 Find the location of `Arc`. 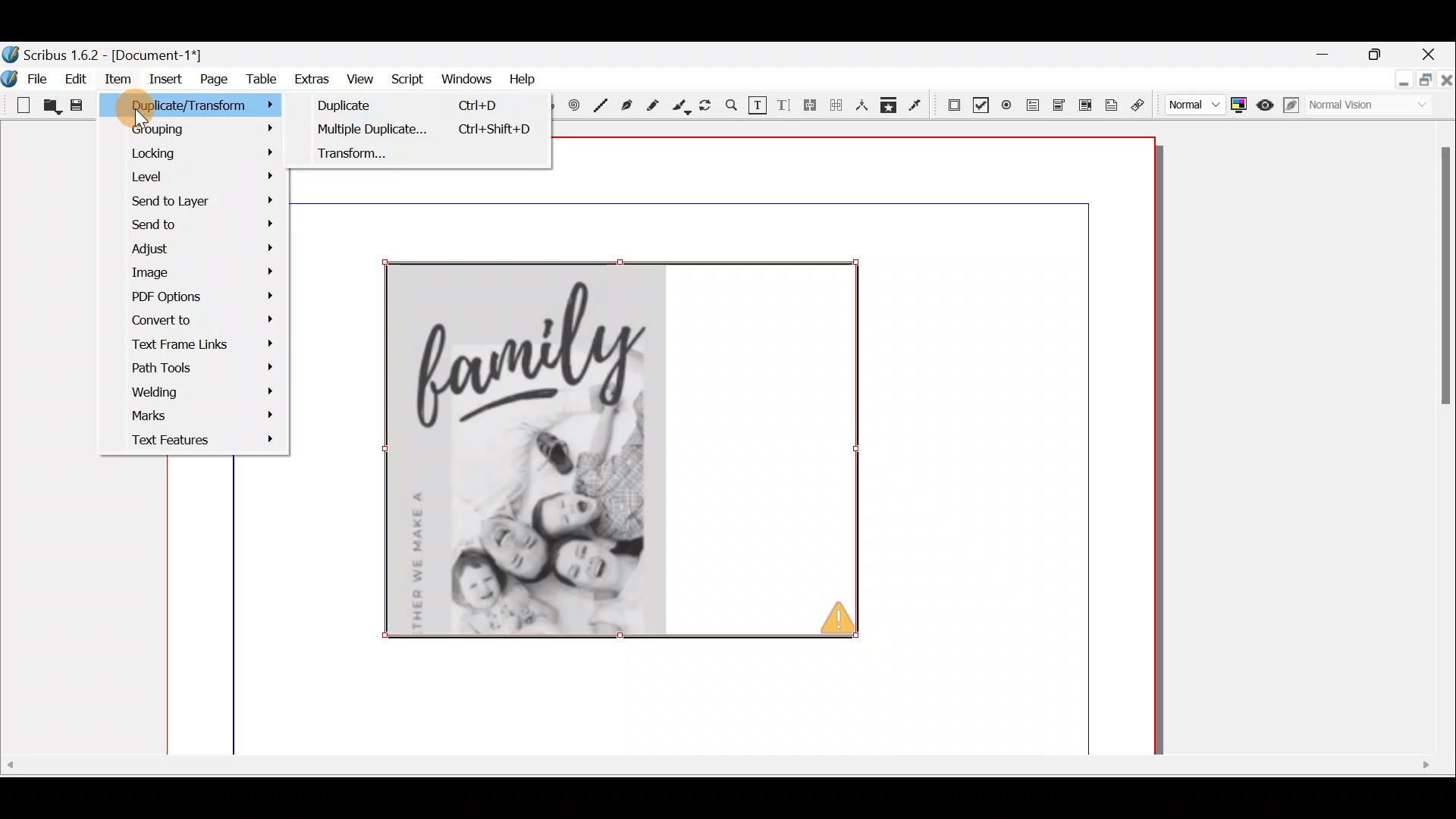

Arc is located at coordinates (553, 108).